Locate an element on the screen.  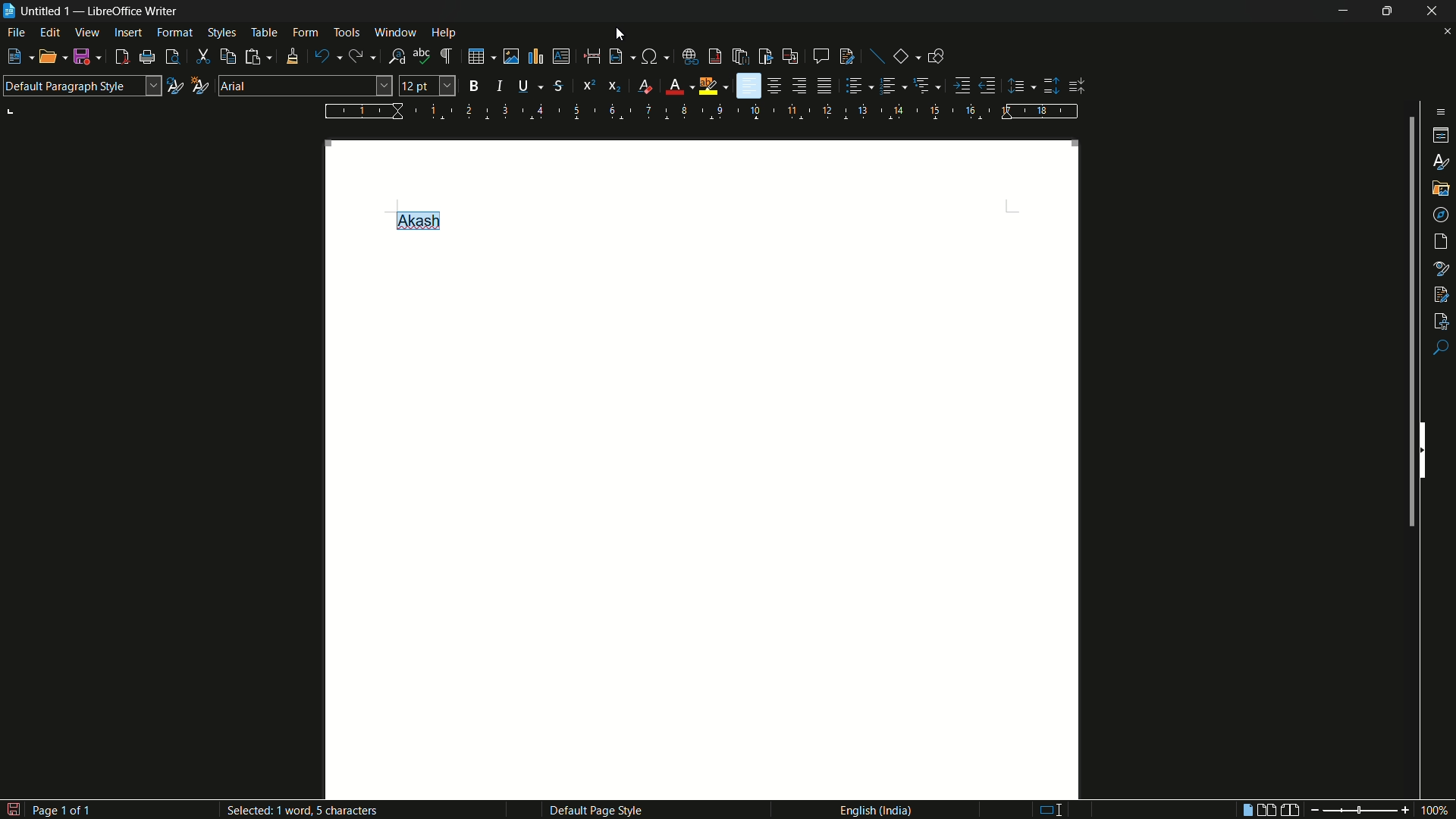
styles menu is located at coordinates (221, 33).